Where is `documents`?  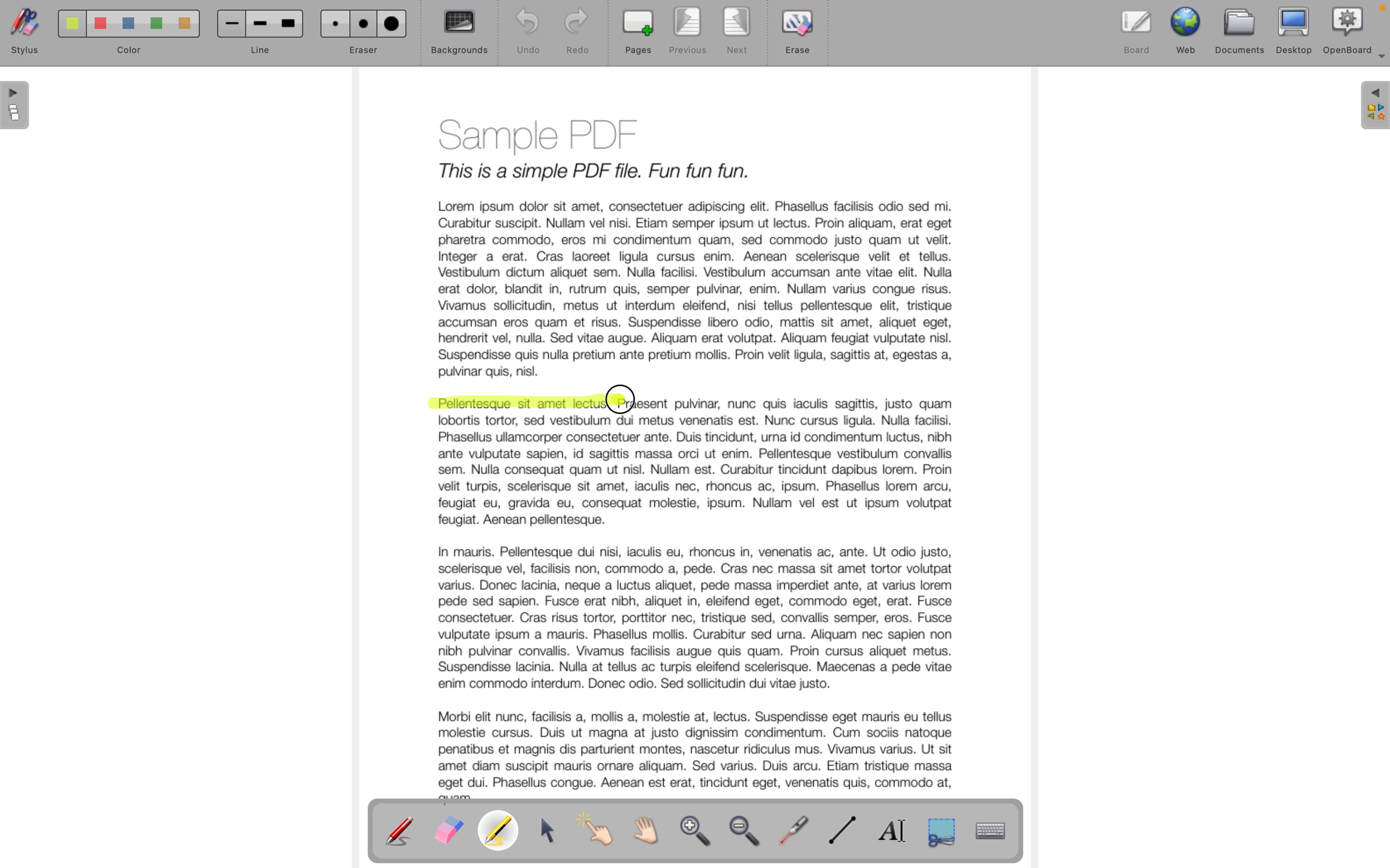
documents is located at coordinates (1241, 30).